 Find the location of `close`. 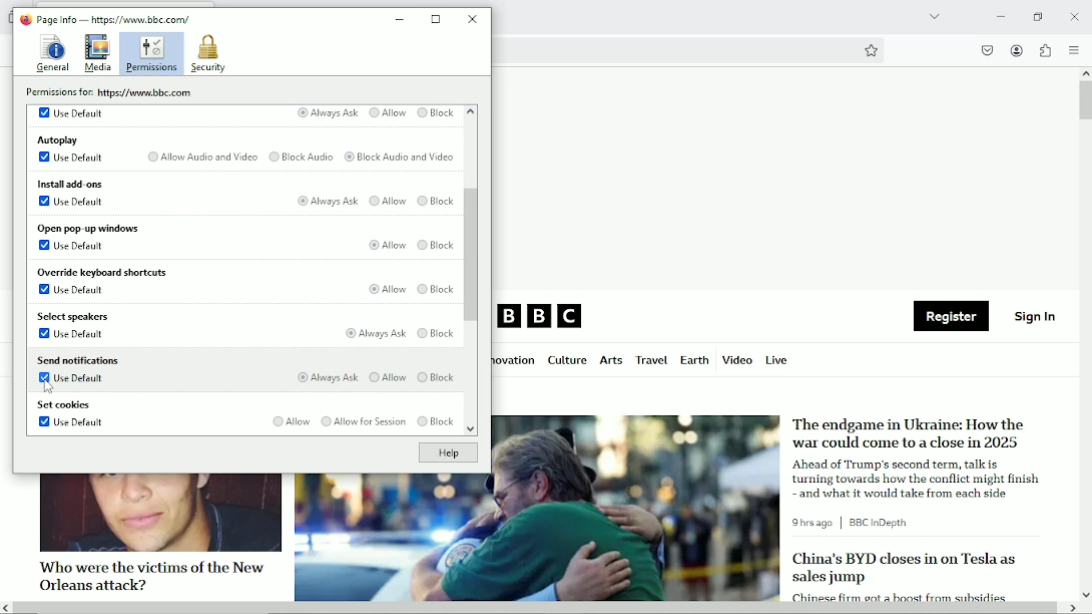

close is located at coordinates (1074, 15).